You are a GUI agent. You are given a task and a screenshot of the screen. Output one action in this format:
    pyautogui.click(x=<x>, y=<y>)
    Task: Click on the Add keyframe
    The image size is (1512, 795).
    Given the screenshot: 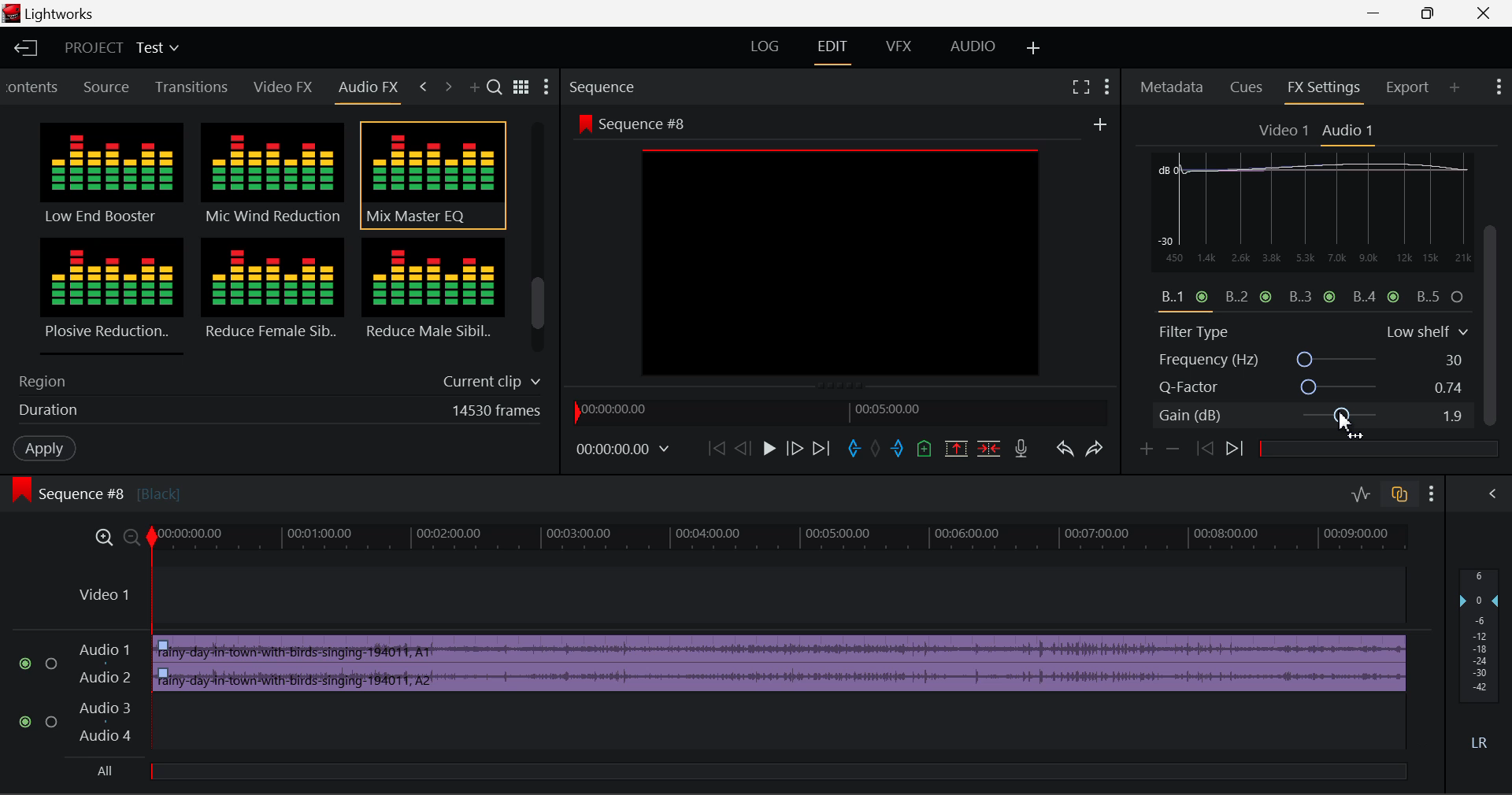 What is the action you would take?
    pyautogui.click(x=1143, y=452)
    